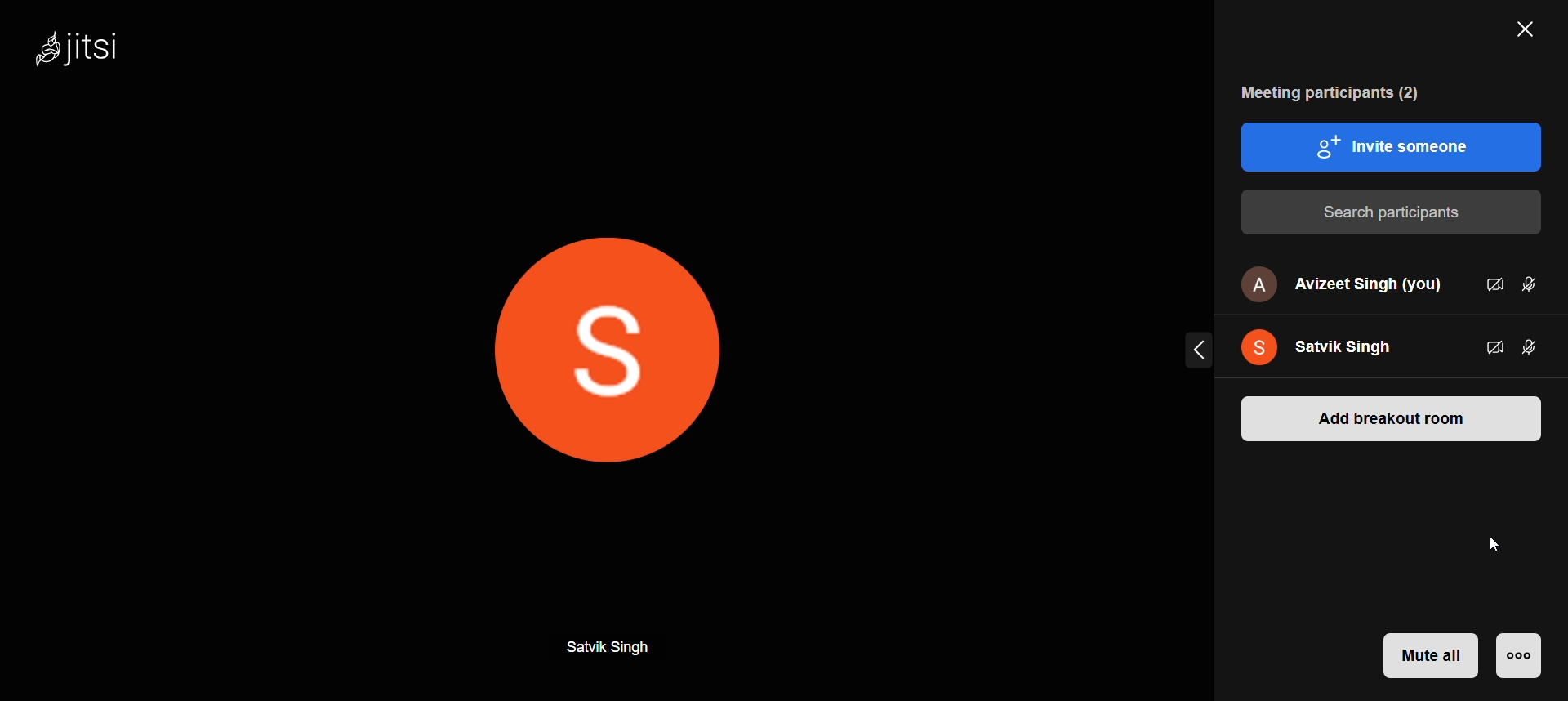 The image size is (1568, 701). I want to click on video status, so click(1492, 284).